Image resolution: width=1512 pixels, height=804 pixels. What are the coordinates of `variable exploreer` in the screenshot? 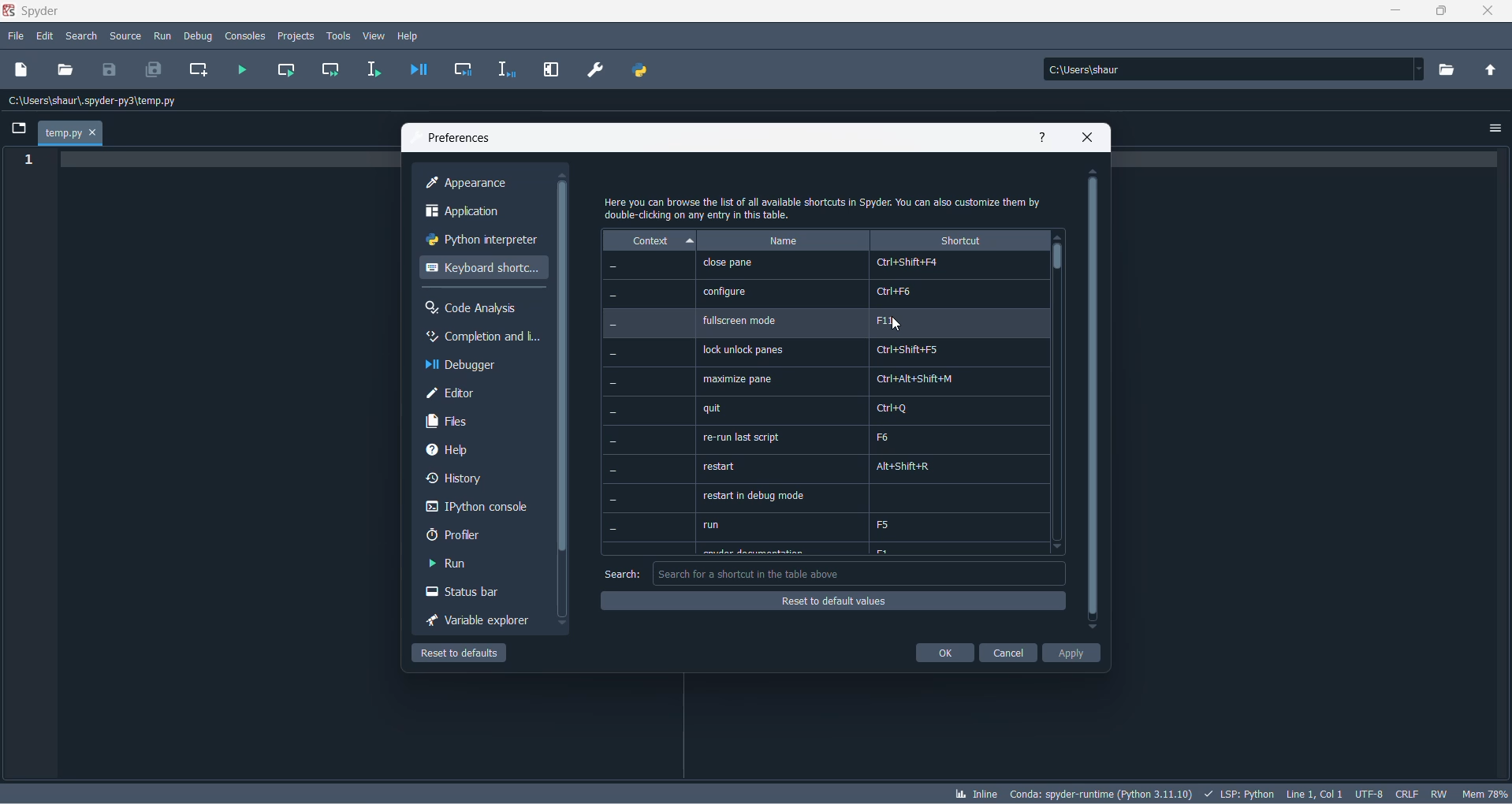 It's located at (478, 623).